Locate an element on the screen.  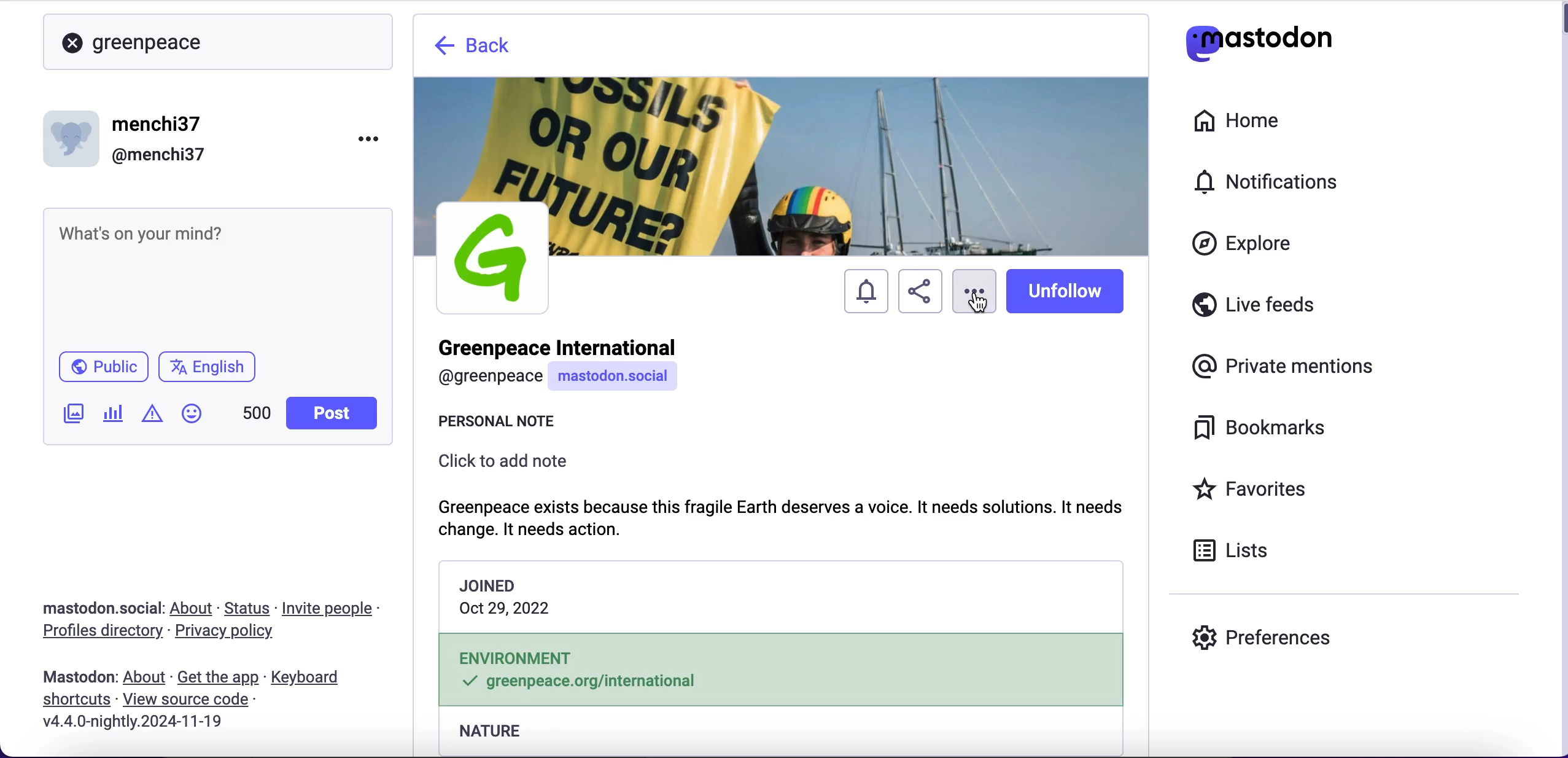
about is located at coordinates (194, 608).